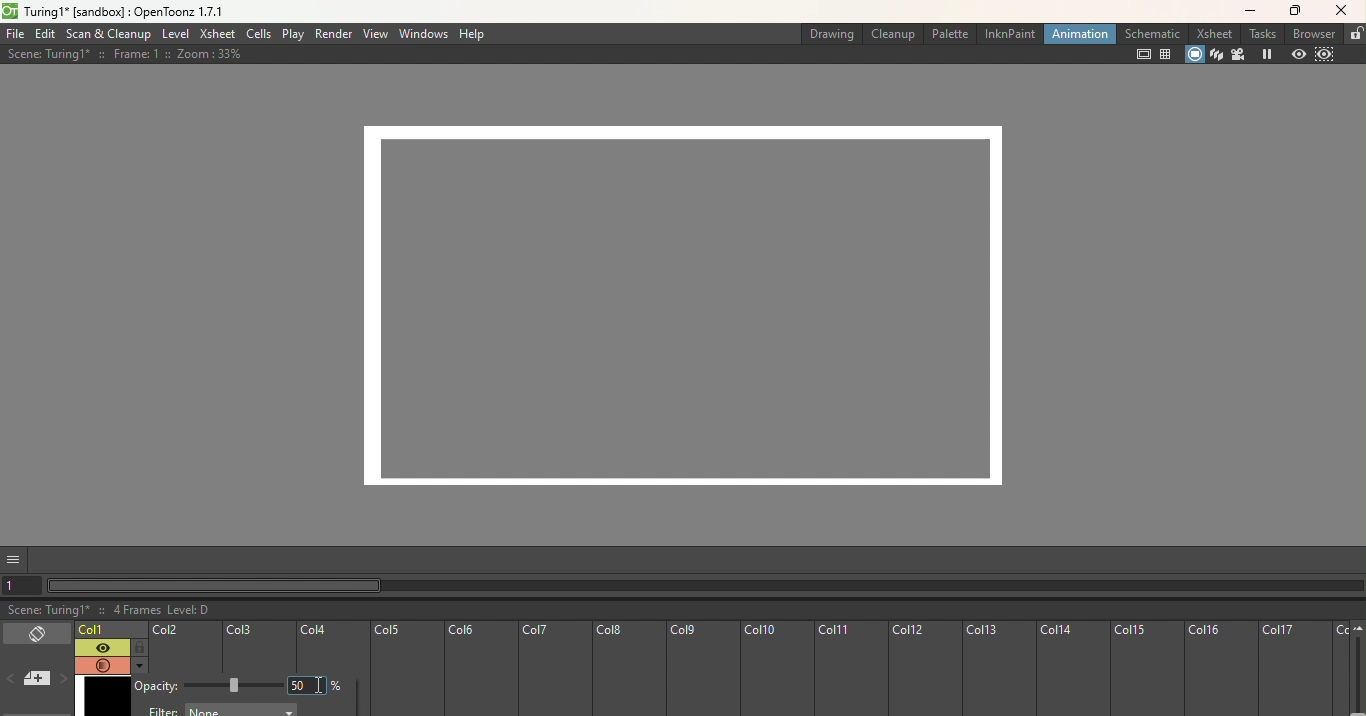 Image resolution: width=1366 pixels, height=716 pixels. Describe the element at coordinates (925, 669) in the screenshot. I see `Col12` at that location.